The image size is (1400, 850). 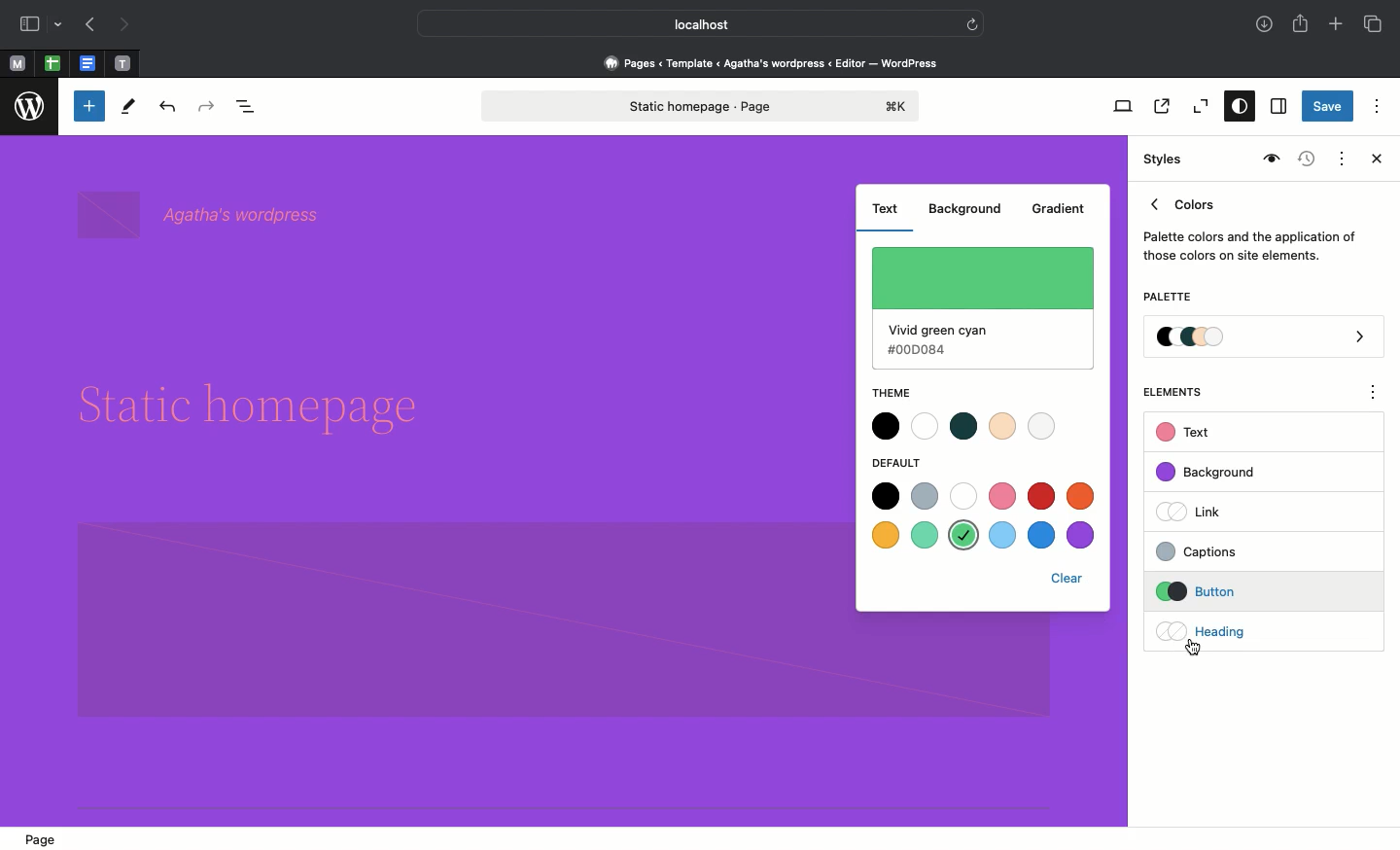 I want to click on refresh, so click(x=972, y=22).